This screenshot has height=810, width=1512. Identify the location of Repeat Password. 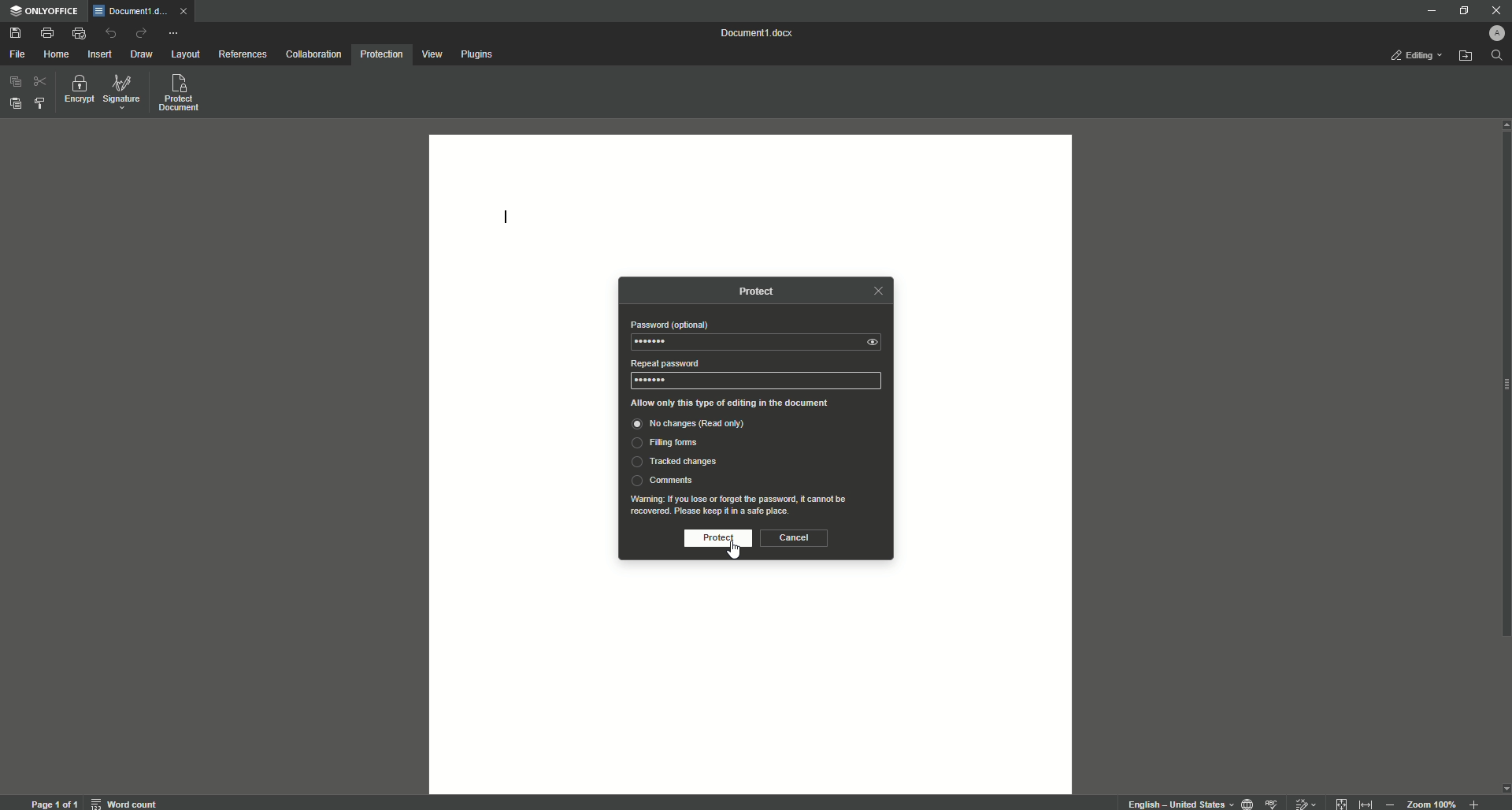
(662, 363).